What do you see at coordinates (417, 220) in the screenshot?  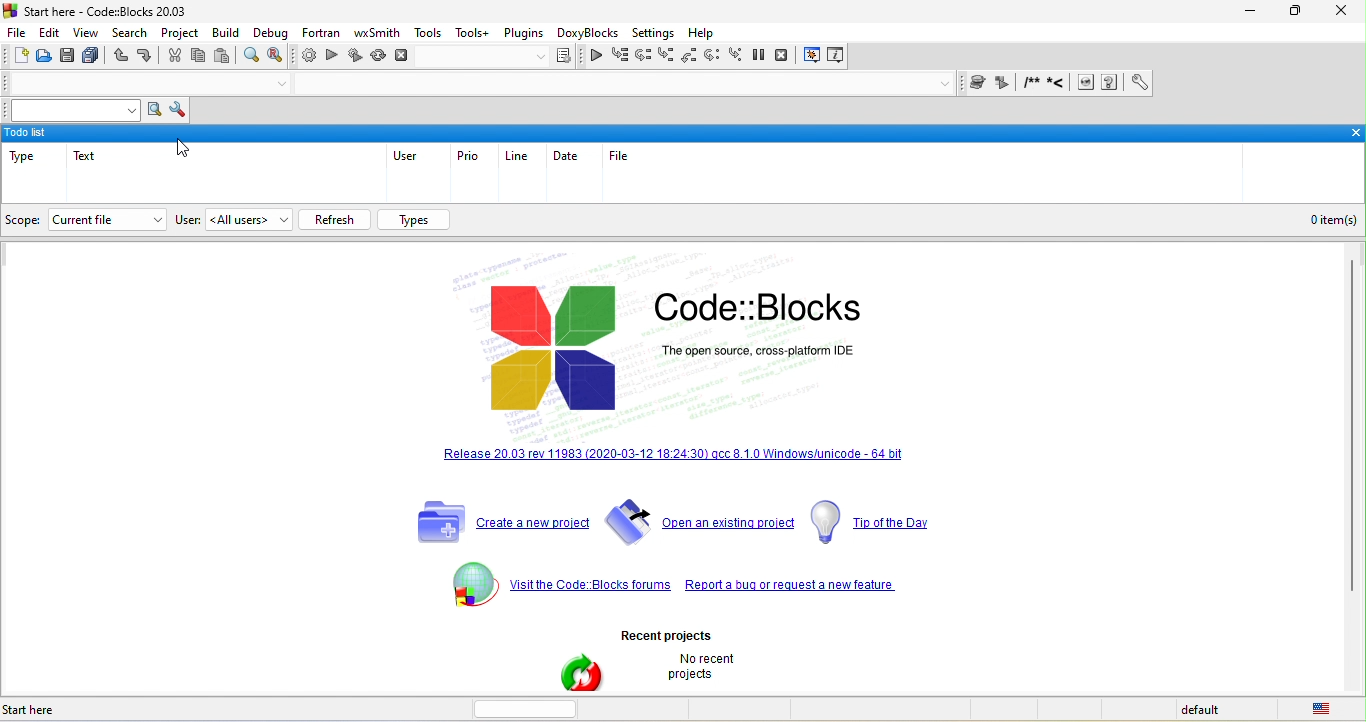 I see `types ` at bounding box center [417, 220].